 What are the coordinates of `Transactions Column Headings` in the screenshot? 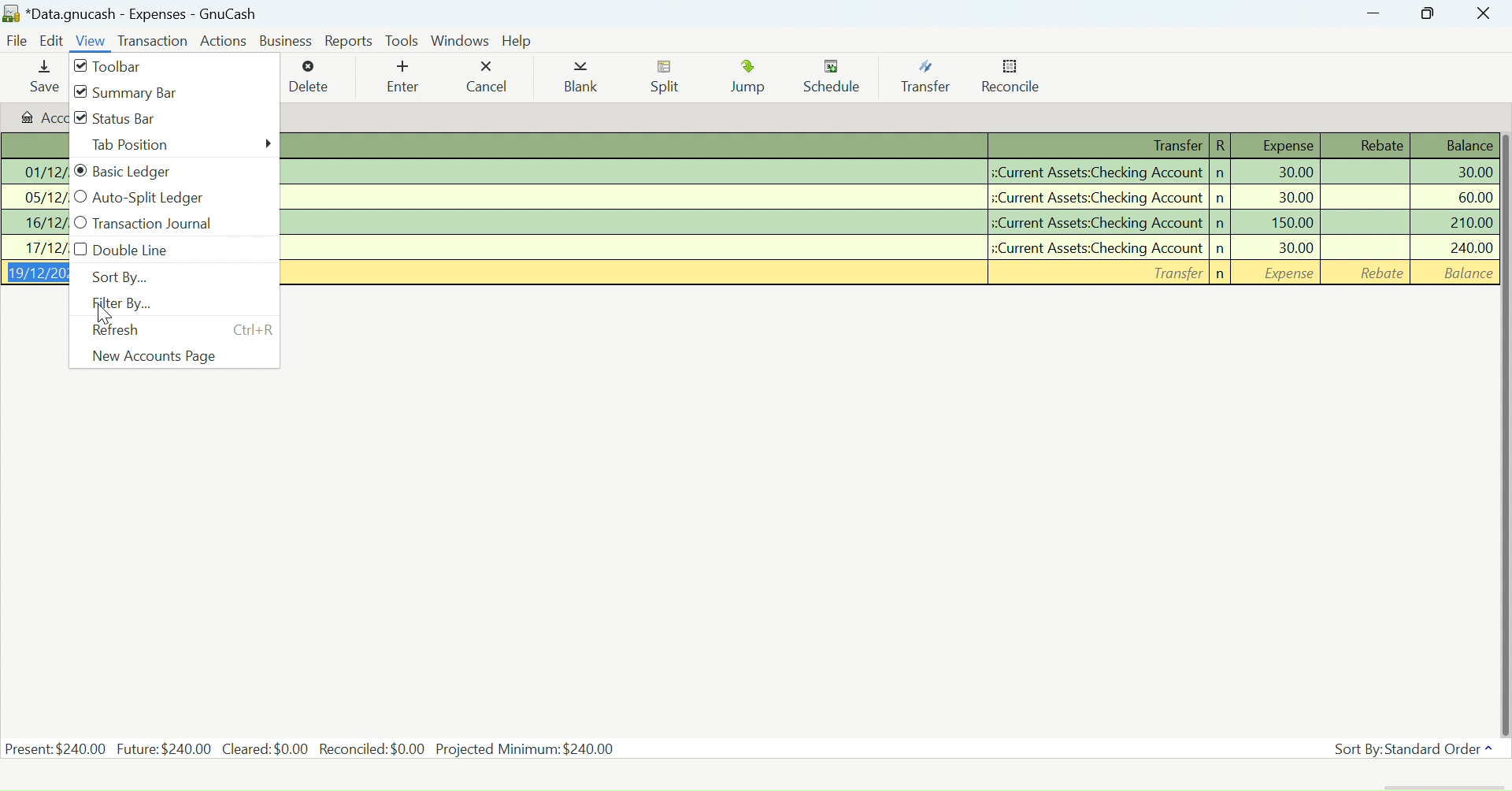 It's located at (890, 147).